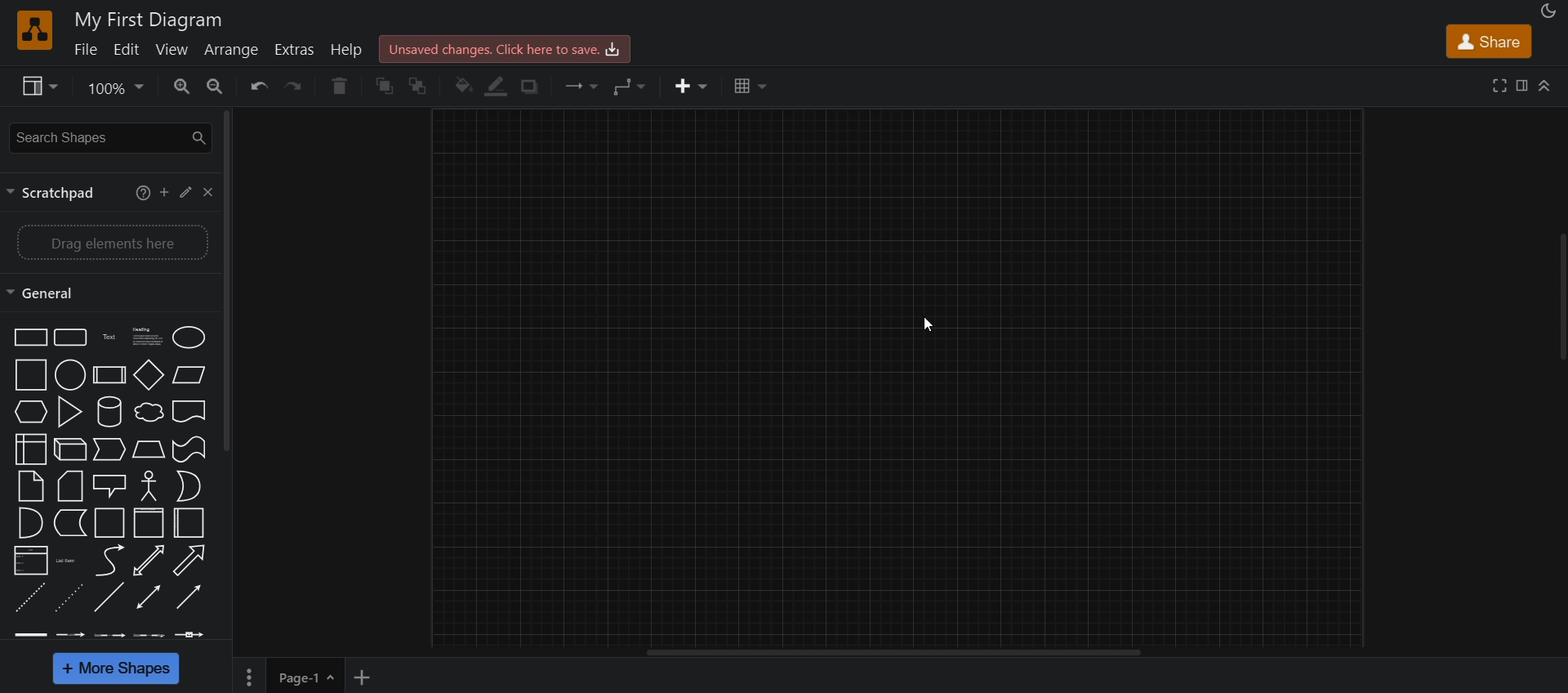 The image size is (1568, 693). Describe the element at coordinates (152, 17) in the screenshot. I see `My First Diagram` at that location.